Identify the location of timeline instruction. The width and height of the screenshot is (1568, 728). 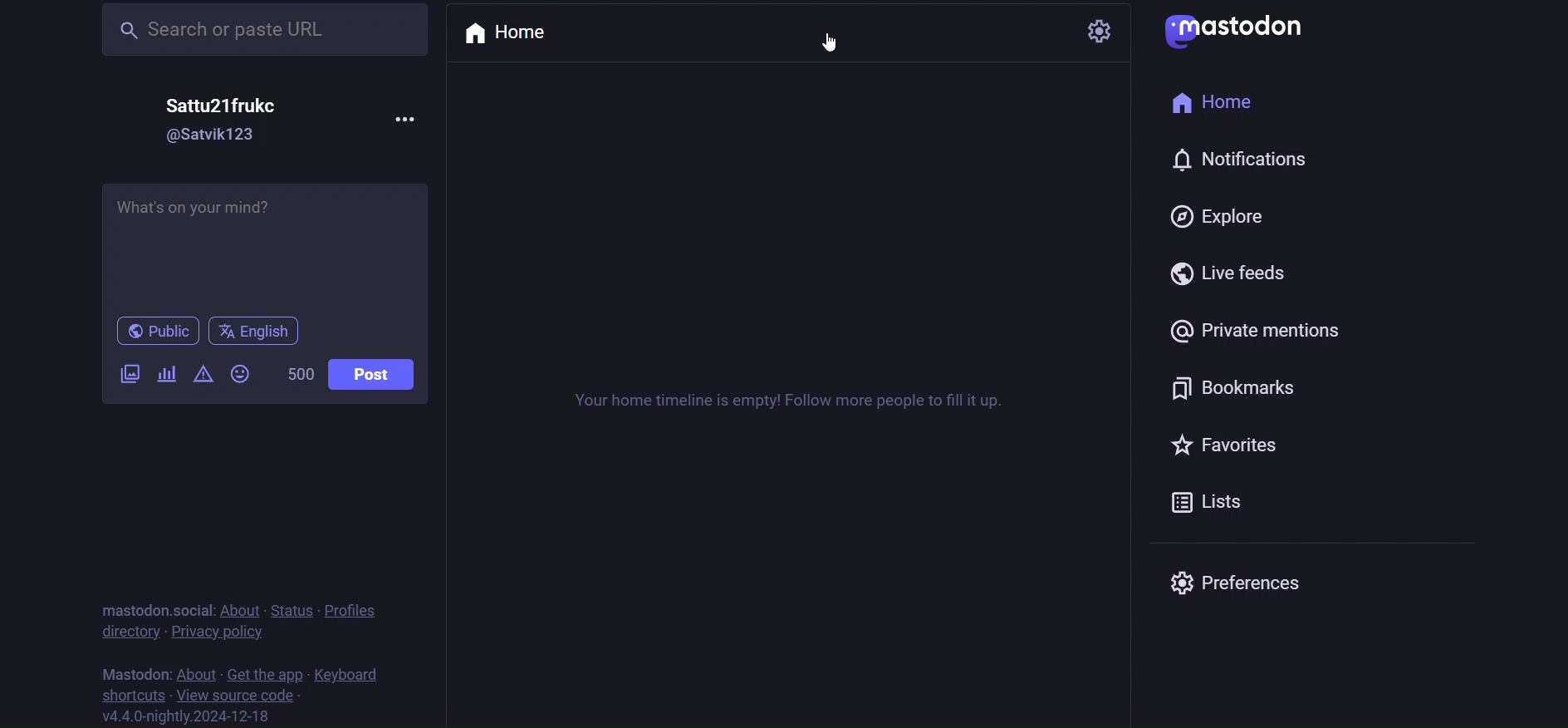
(785, 398).